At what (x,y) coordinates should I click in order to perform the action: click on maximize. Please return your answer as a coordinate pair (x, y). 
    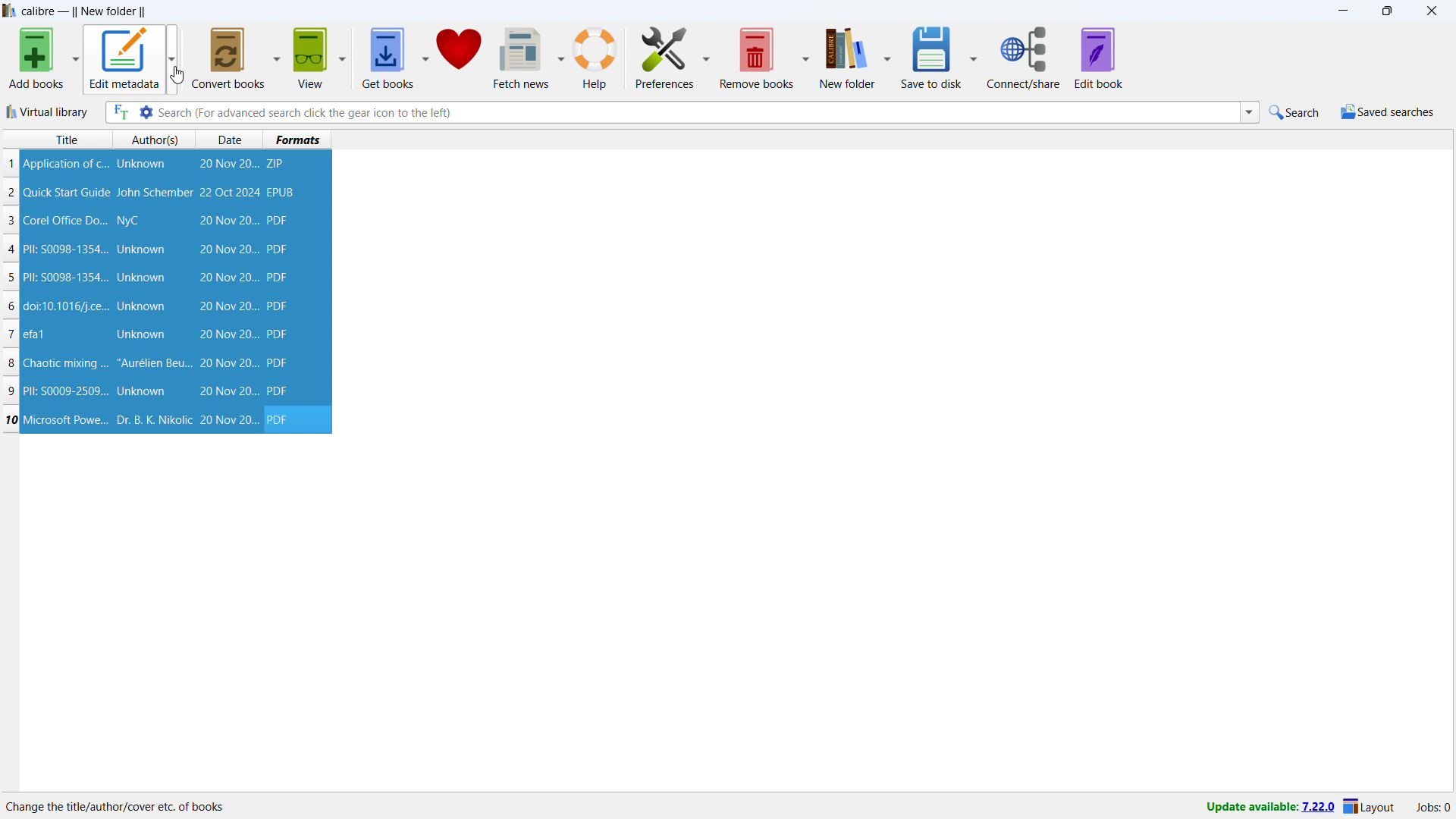
    Looking at the image, I should click on (1386, 11).